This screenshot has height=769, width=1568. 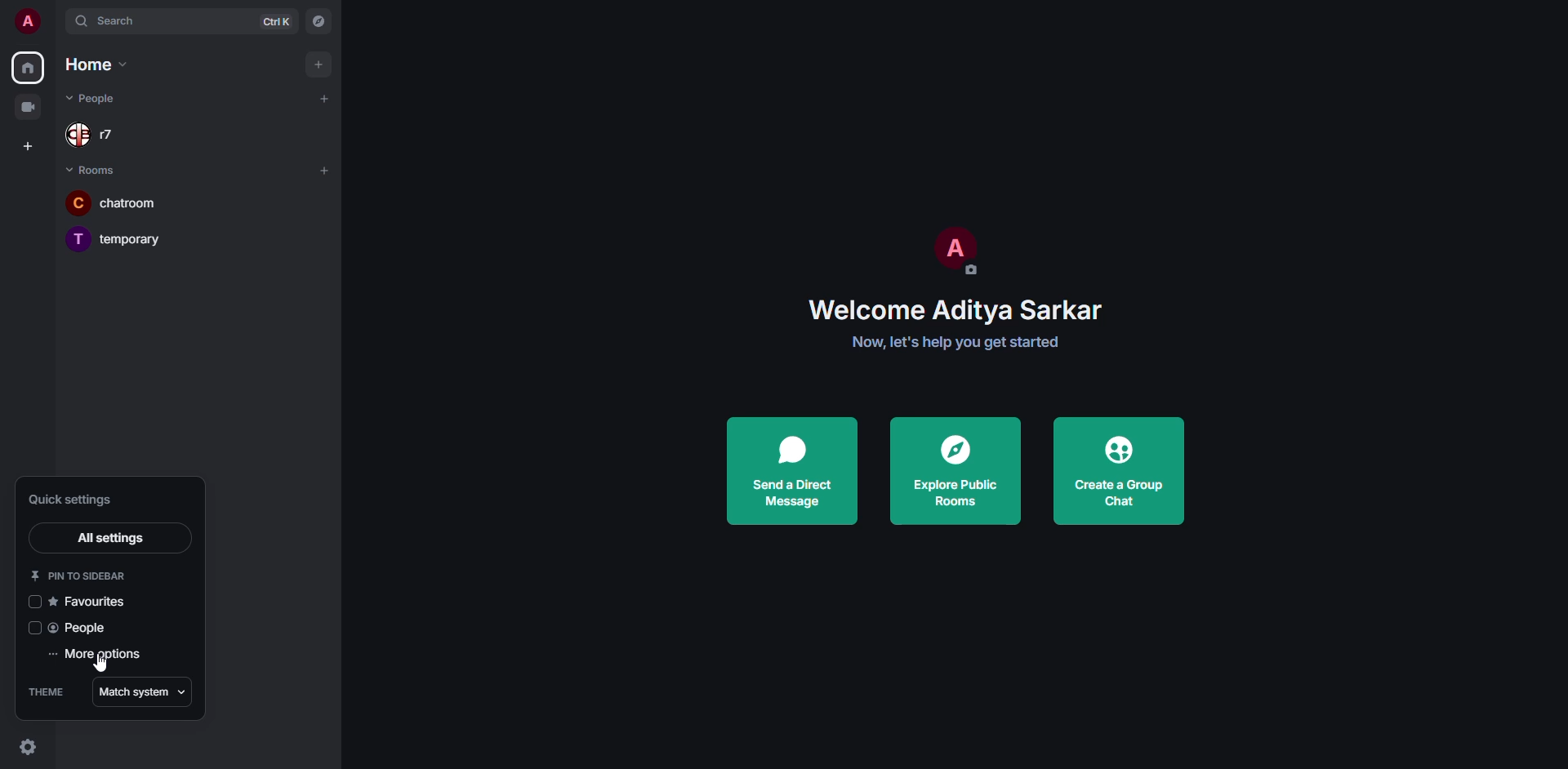 I want to click on home, so click(x=29, y=66).